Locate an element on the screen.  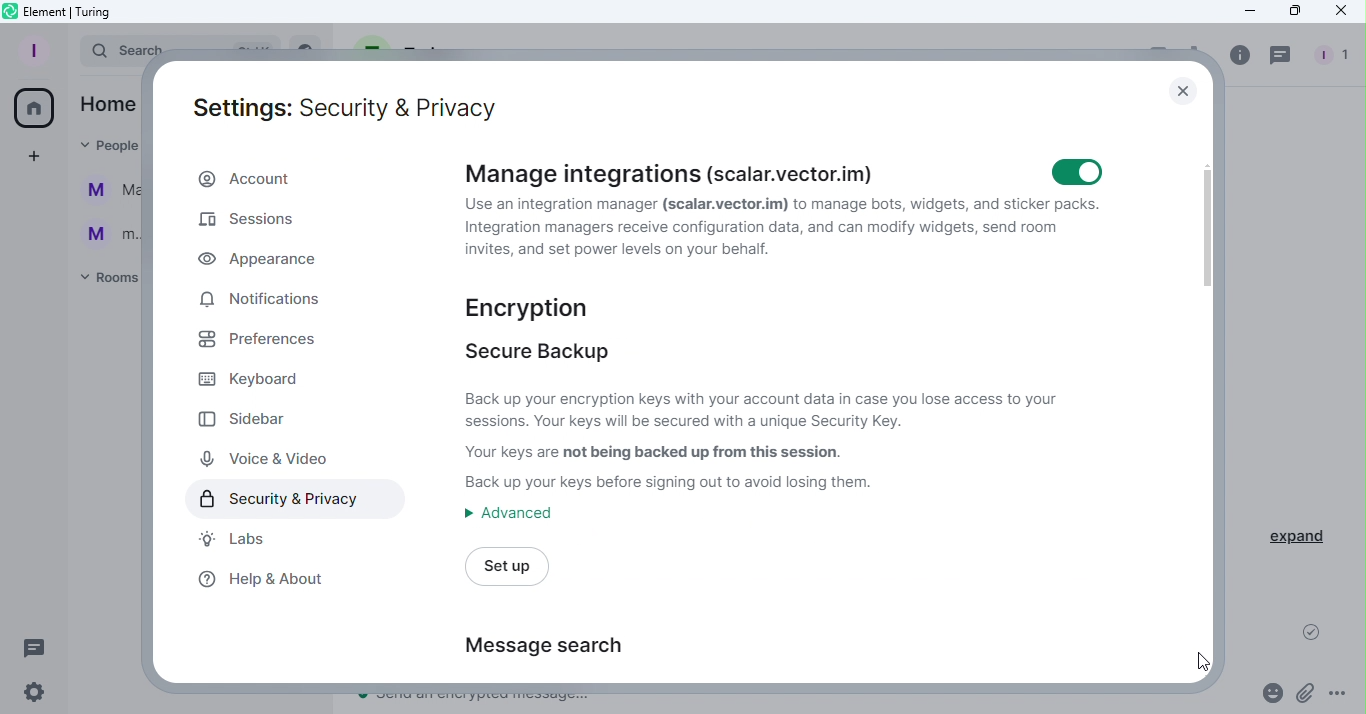
More options is located at coordinates (1340, 696).